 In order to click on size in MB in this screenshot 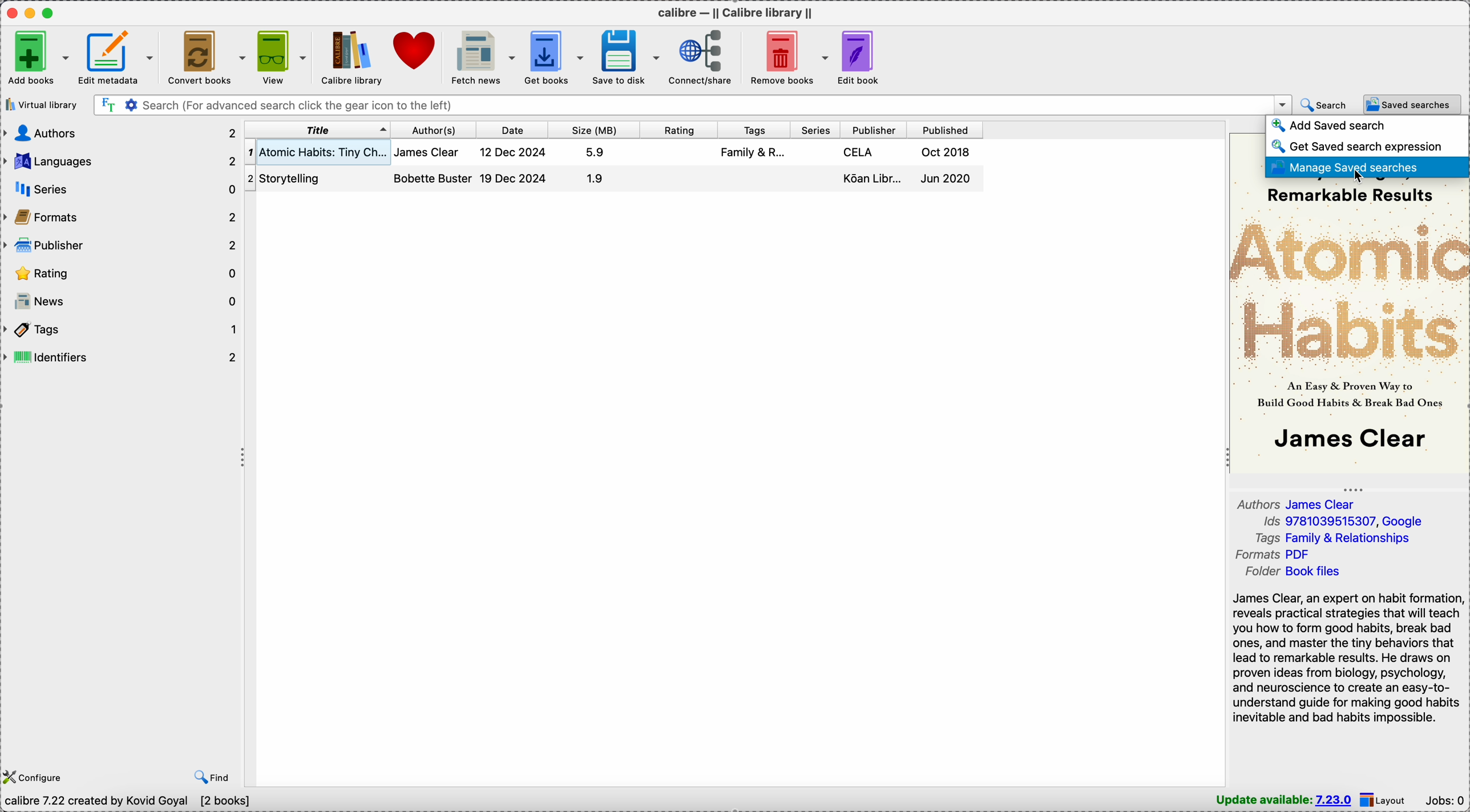, I will do `click(595, 168)`.